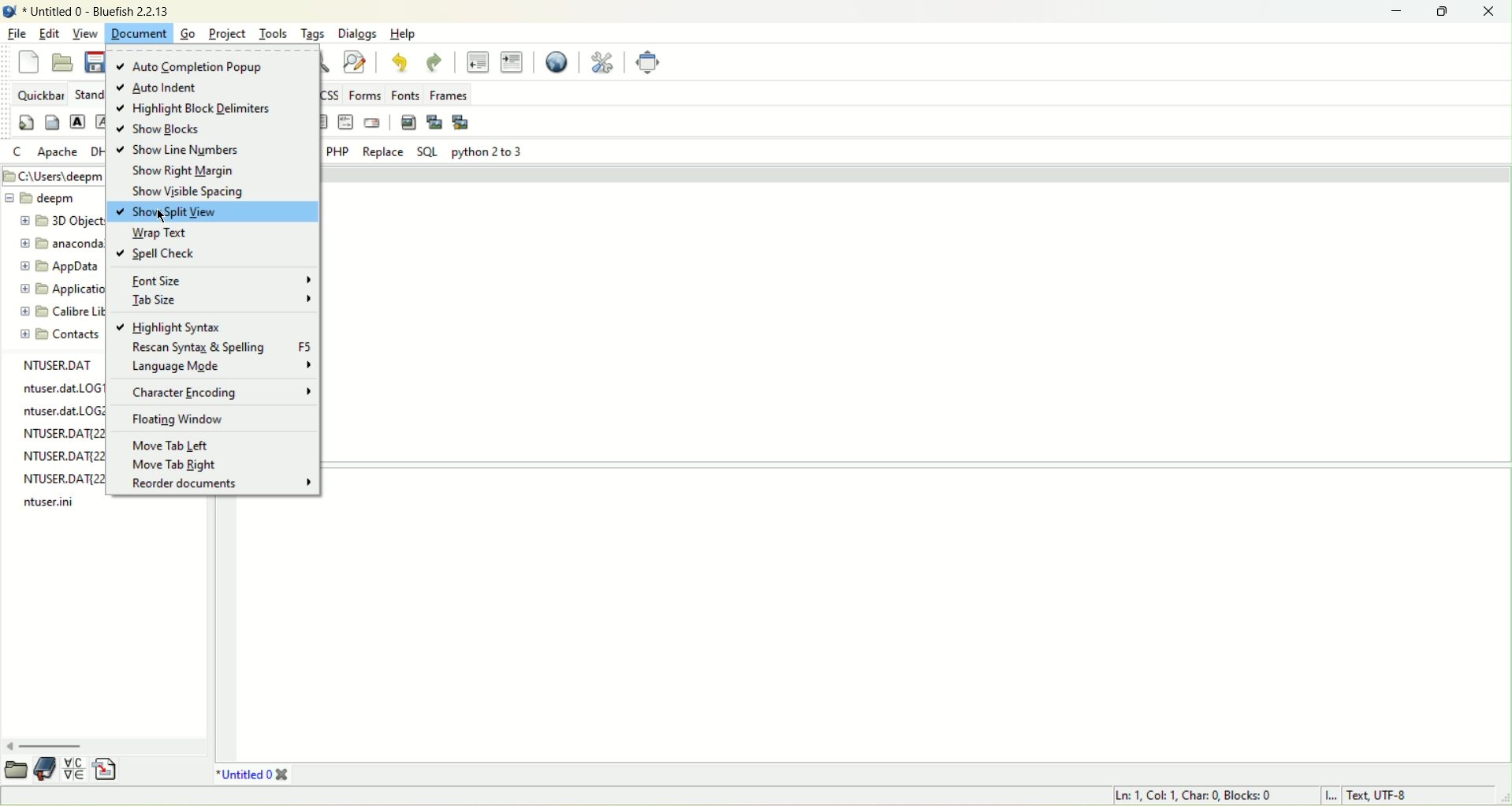 The width and height of the screenshot is (1512, 806). Describe the element at coordinates (1410, 797) in the screenshot. I see `character encoding` at that location.